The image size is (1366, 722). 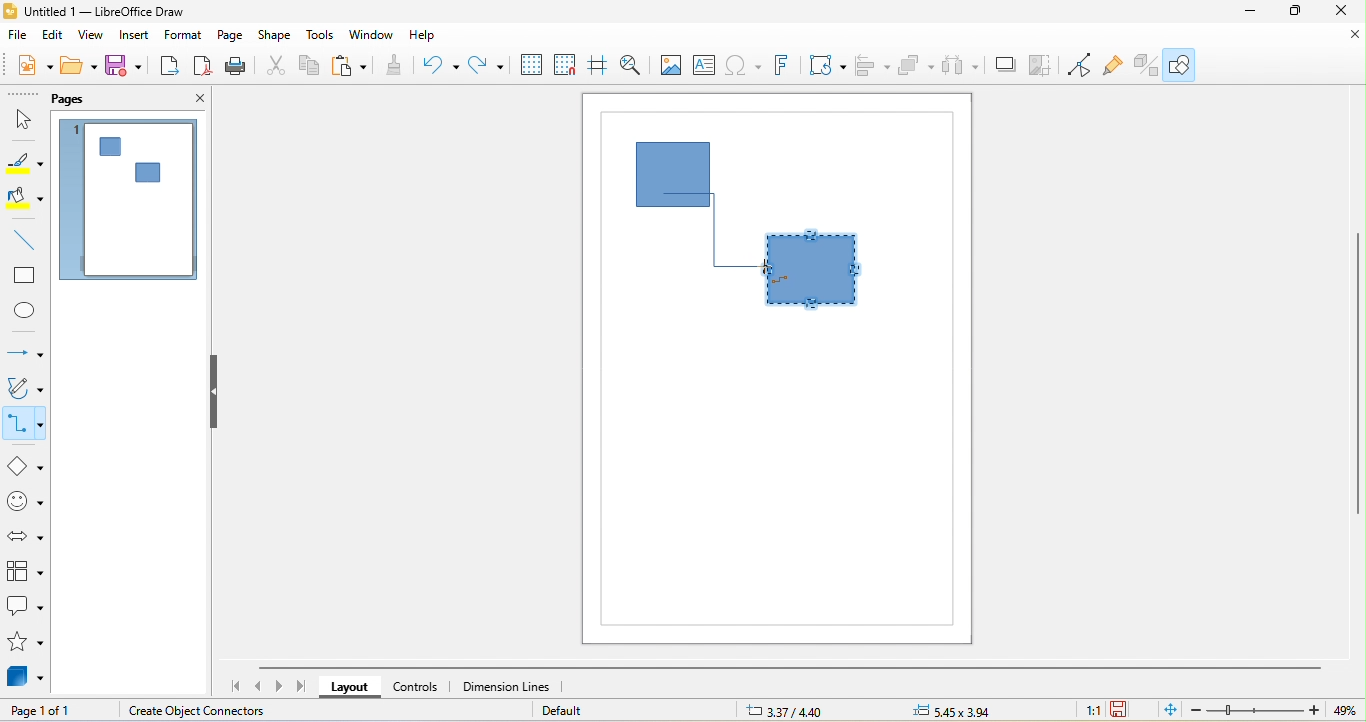 I want to click on curves and polygon, so click(x=26, y=388).